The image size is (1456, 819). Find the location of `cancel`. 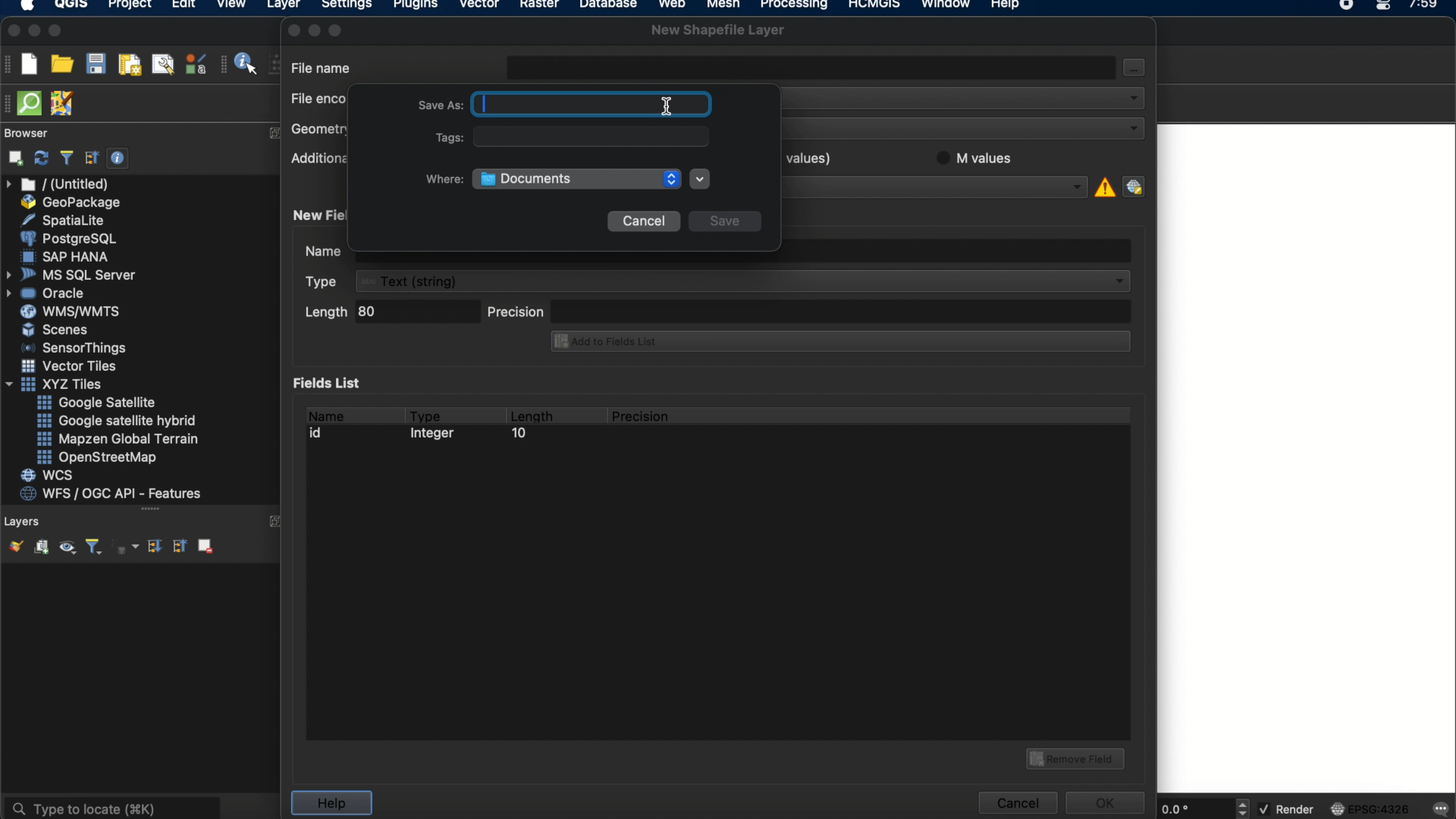

cancel is located at coordinates (643, 221).